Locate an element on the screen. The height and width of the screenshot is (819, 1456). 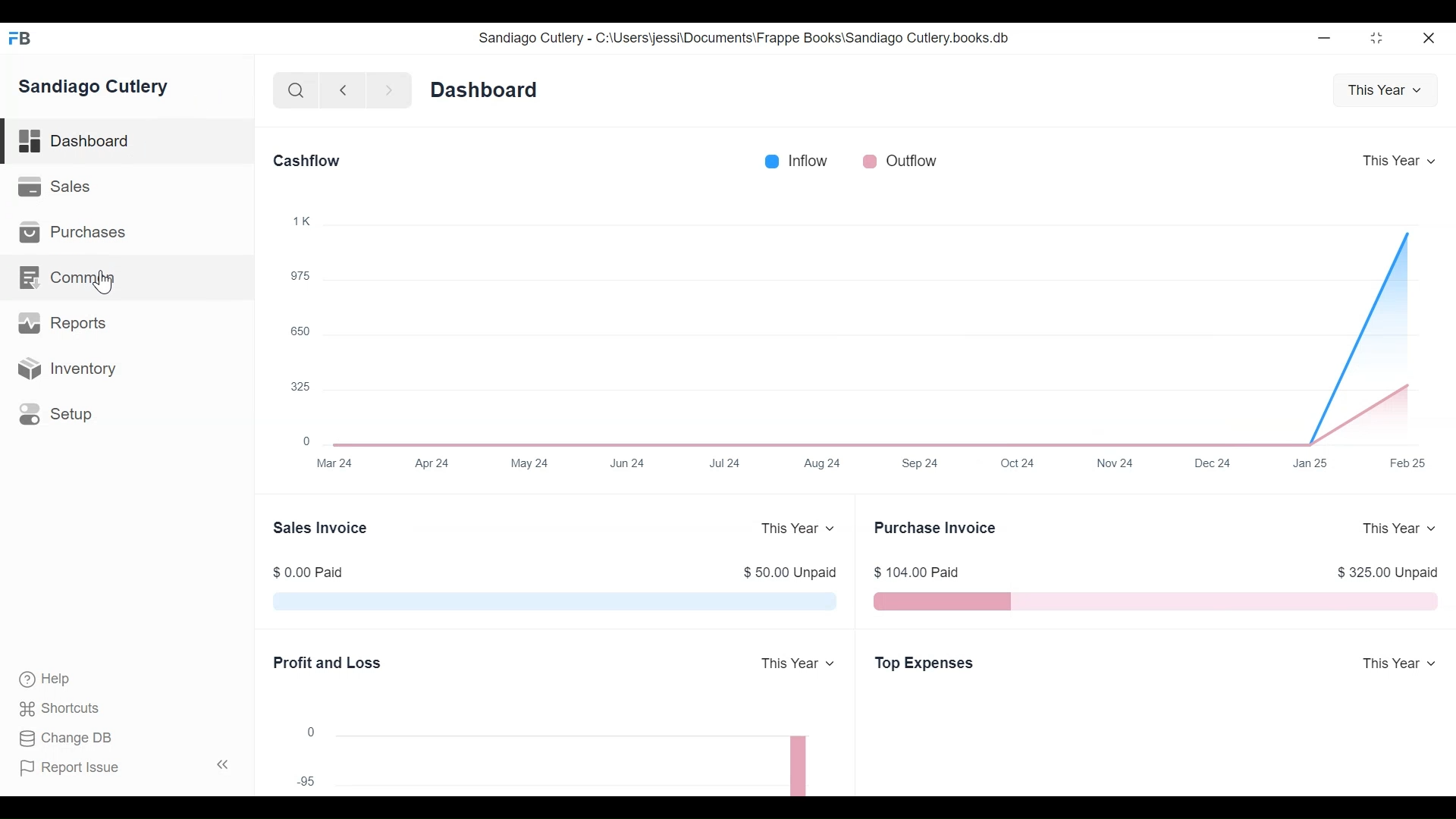
This Year is located at coordinates (1395, 161).